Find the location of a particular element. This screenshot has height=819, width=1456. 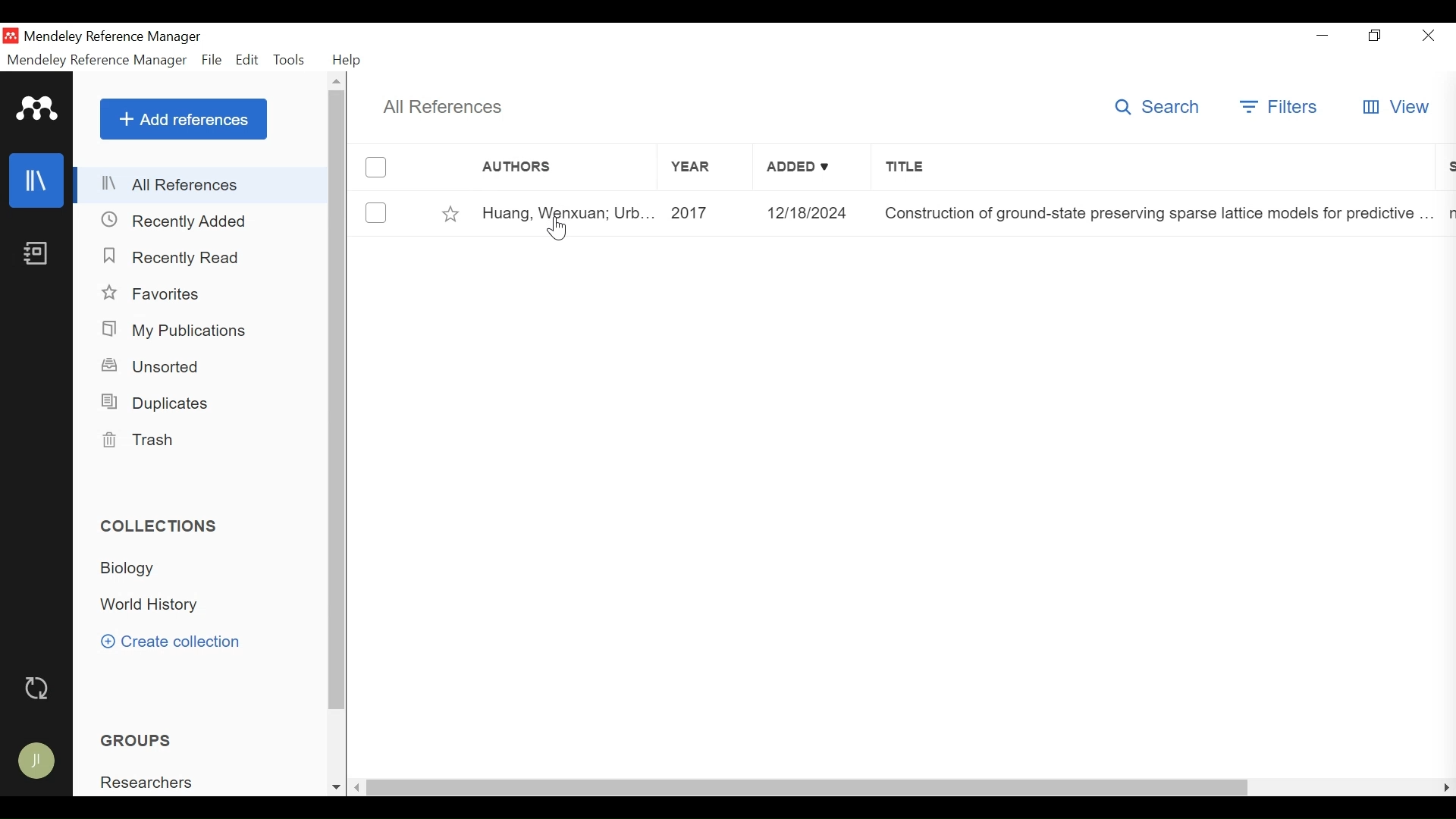

Unsorted is located at coordinates (158, 367).